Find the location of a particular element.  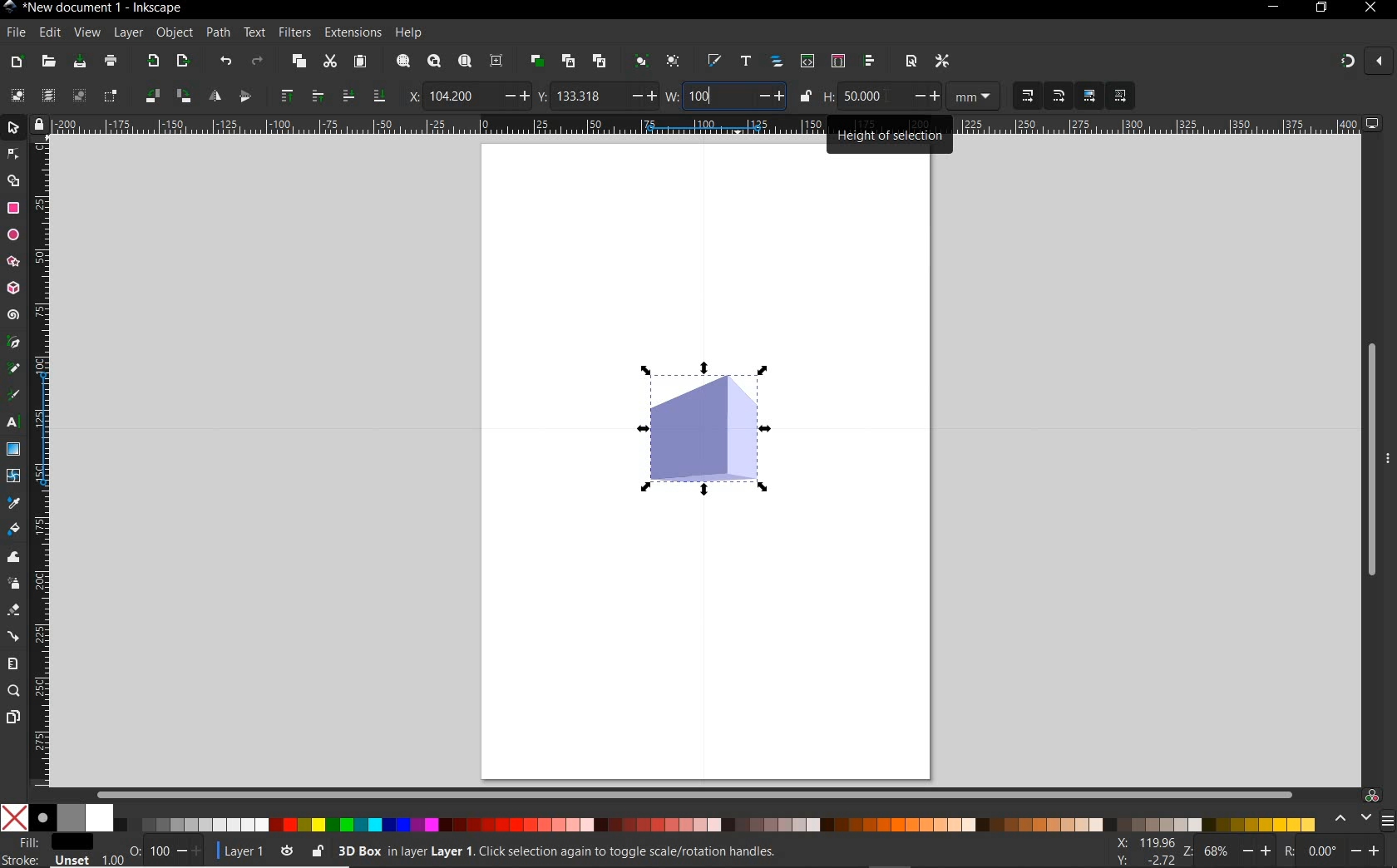

increase/decrease is located at coordinates (1366, 851).